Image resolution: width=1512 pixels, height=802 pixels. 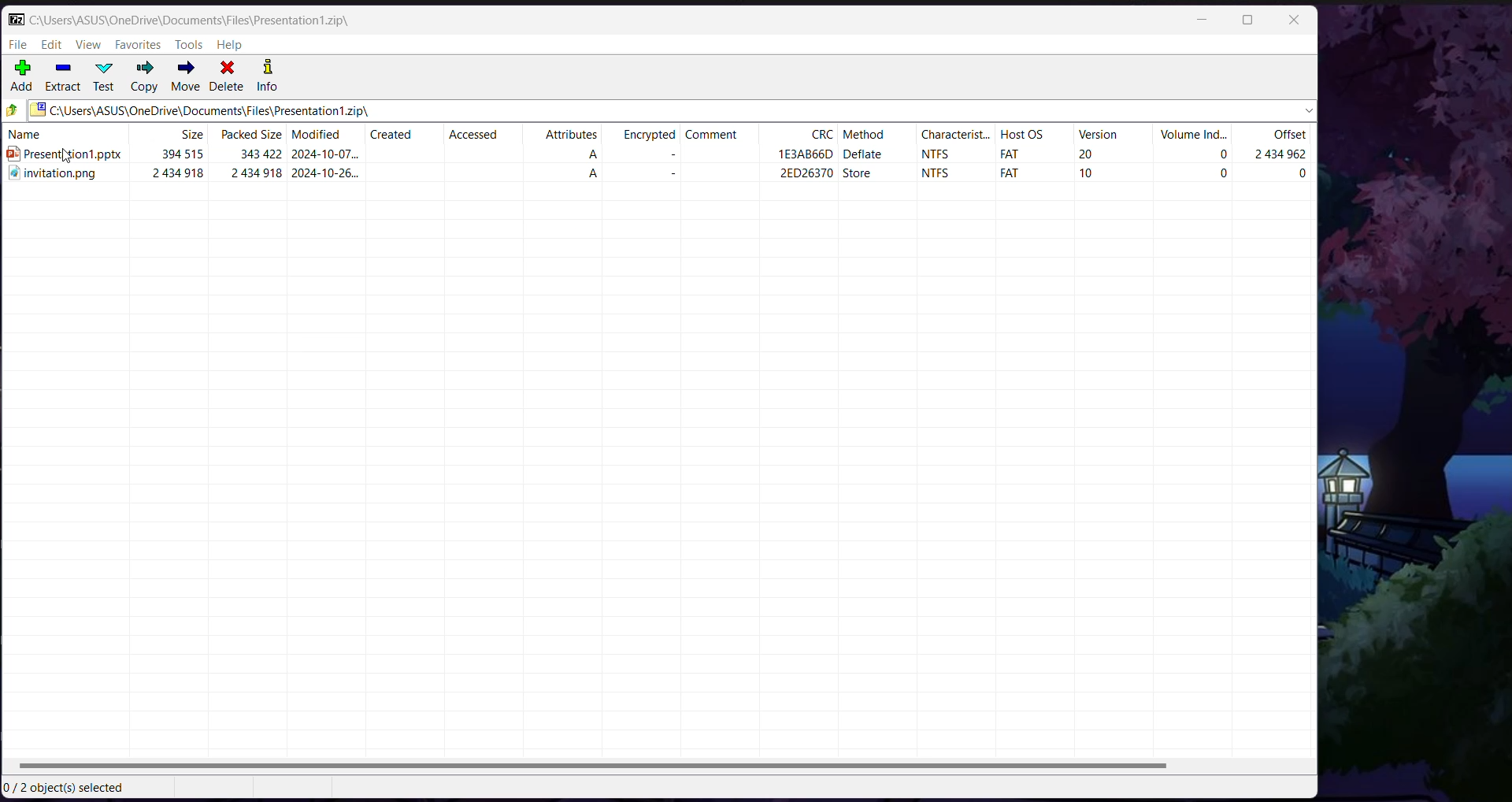 What do you see at coordinates (1099, 136) in the screenshot?
I see `Version` at bounding box center [1099, 136].